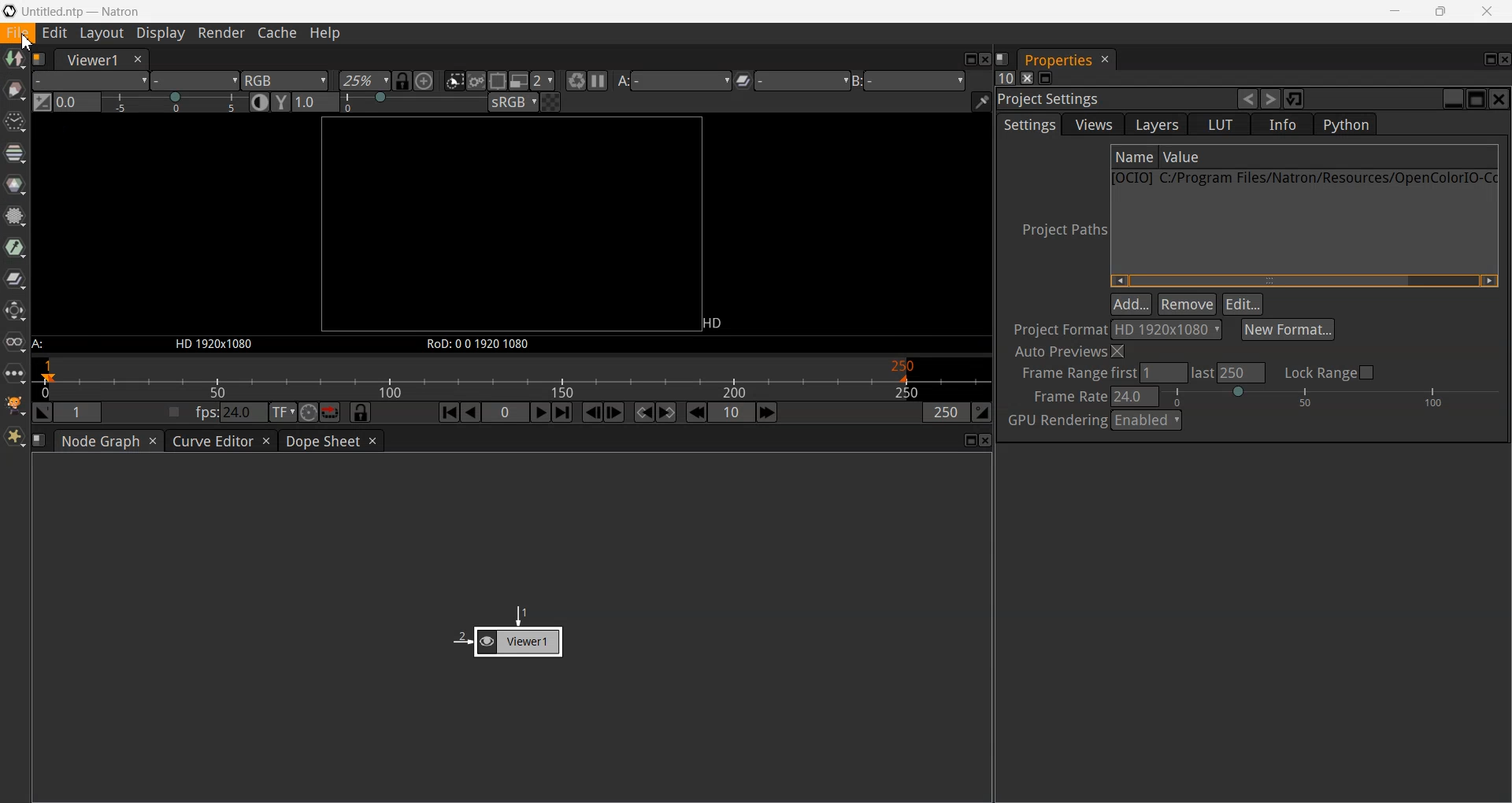  What do you see at coordinates (732, 412) in the screenshot?
I see `Frame Increment` at bounding box center [732, 412].